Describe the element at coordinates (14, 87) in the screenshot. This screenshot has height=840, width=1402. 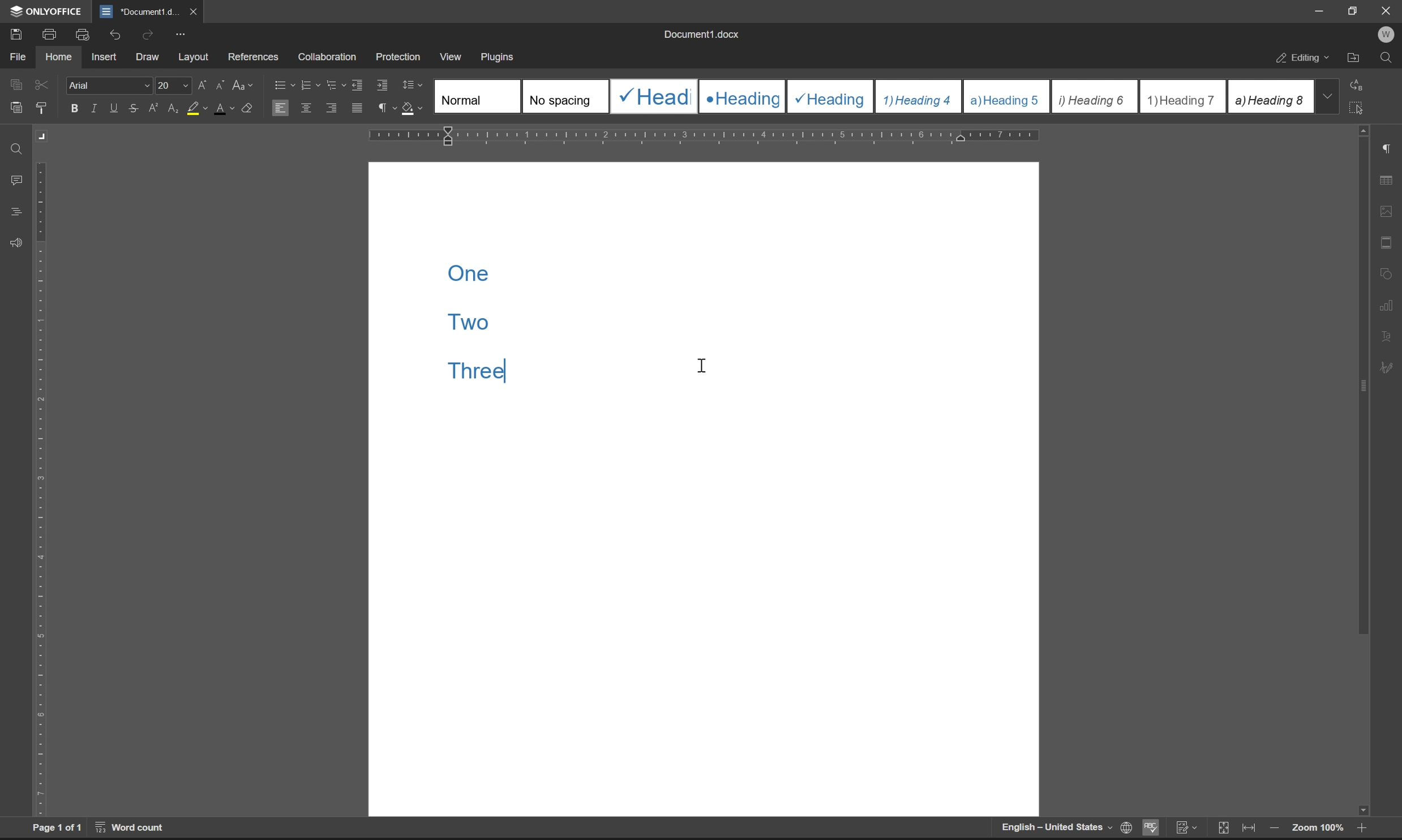
I see `caopy` at that location.